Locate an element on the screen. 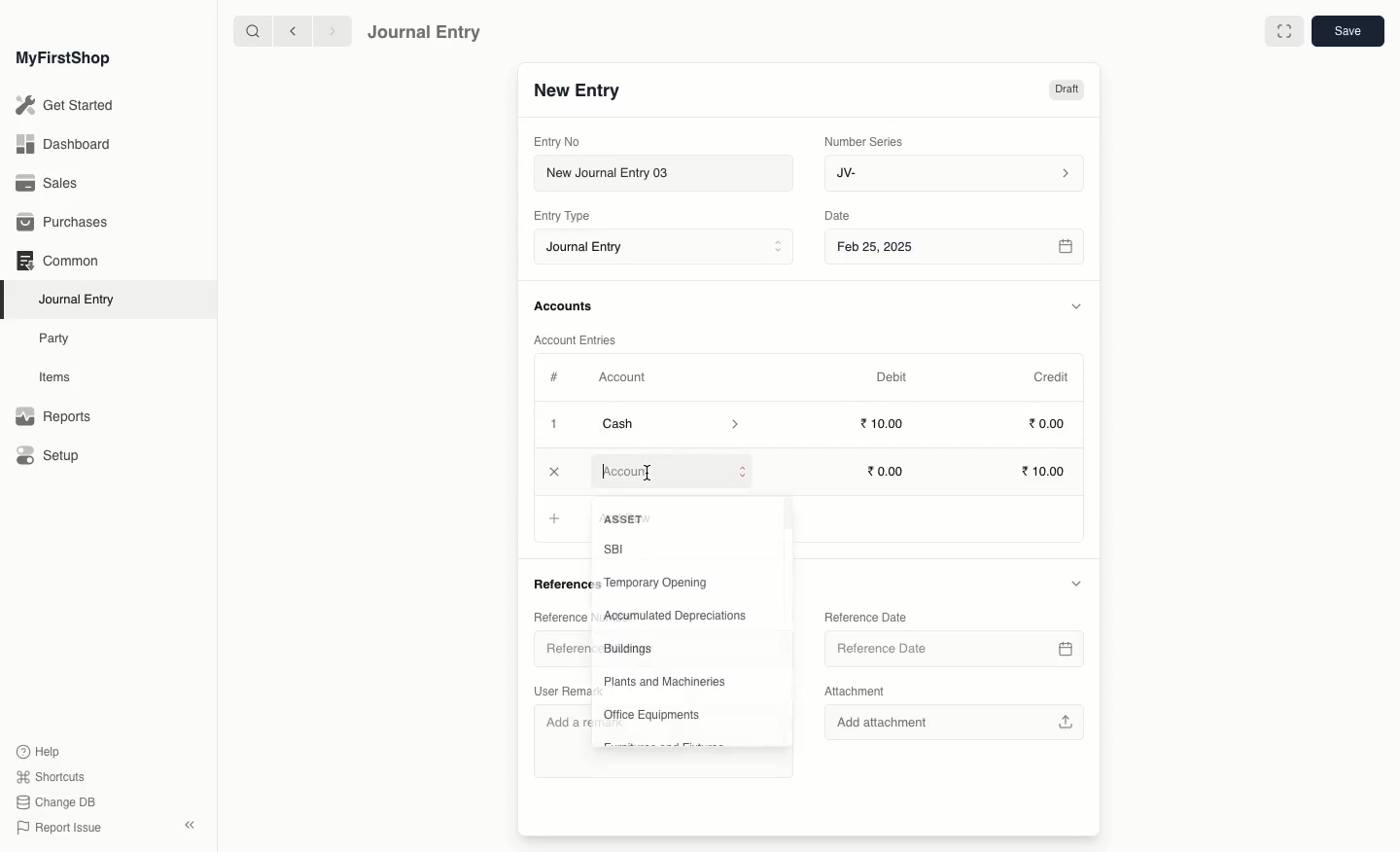 The height and width of the screenshot is (852, 1400). Full width toggle is located at coordinates (1282, 32).